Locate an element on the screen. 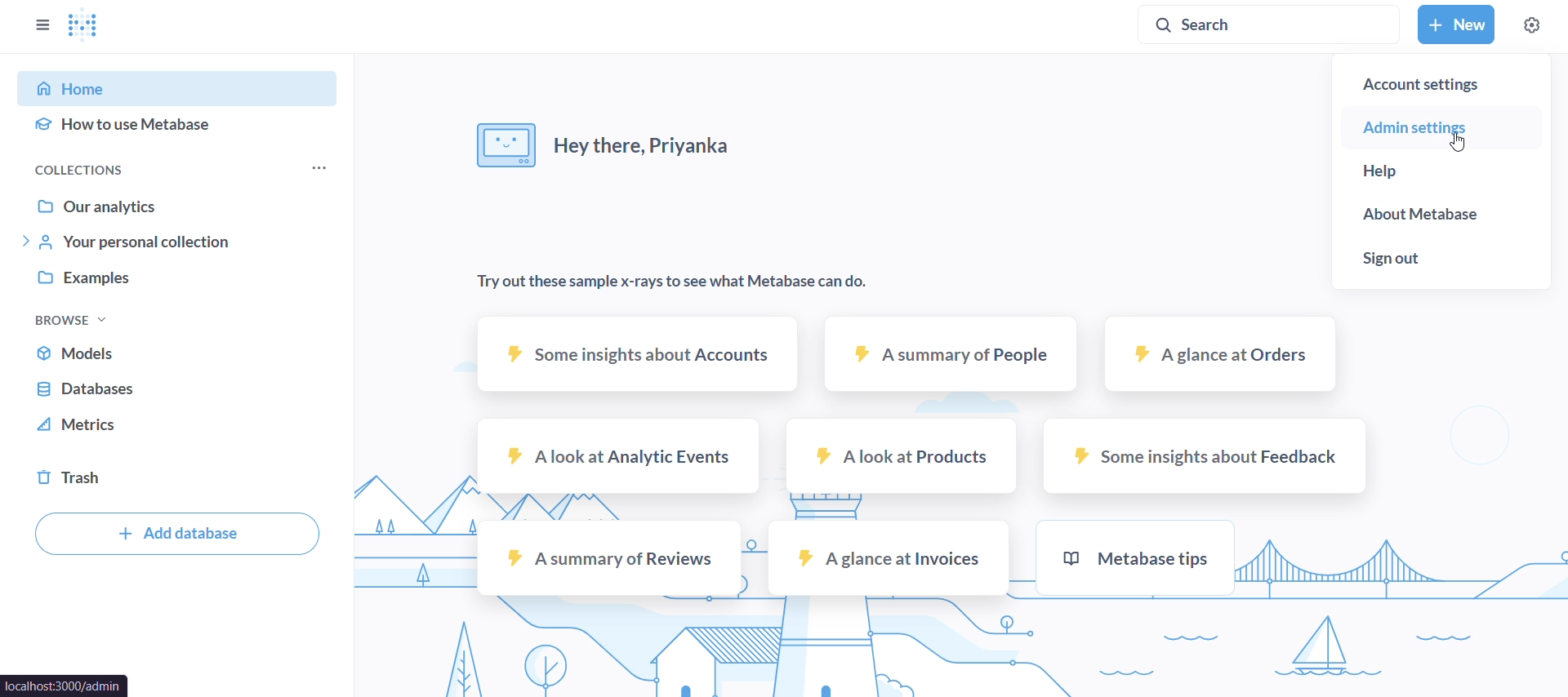 The image size is (1568, 697). url is located at coordinates (65, 686).